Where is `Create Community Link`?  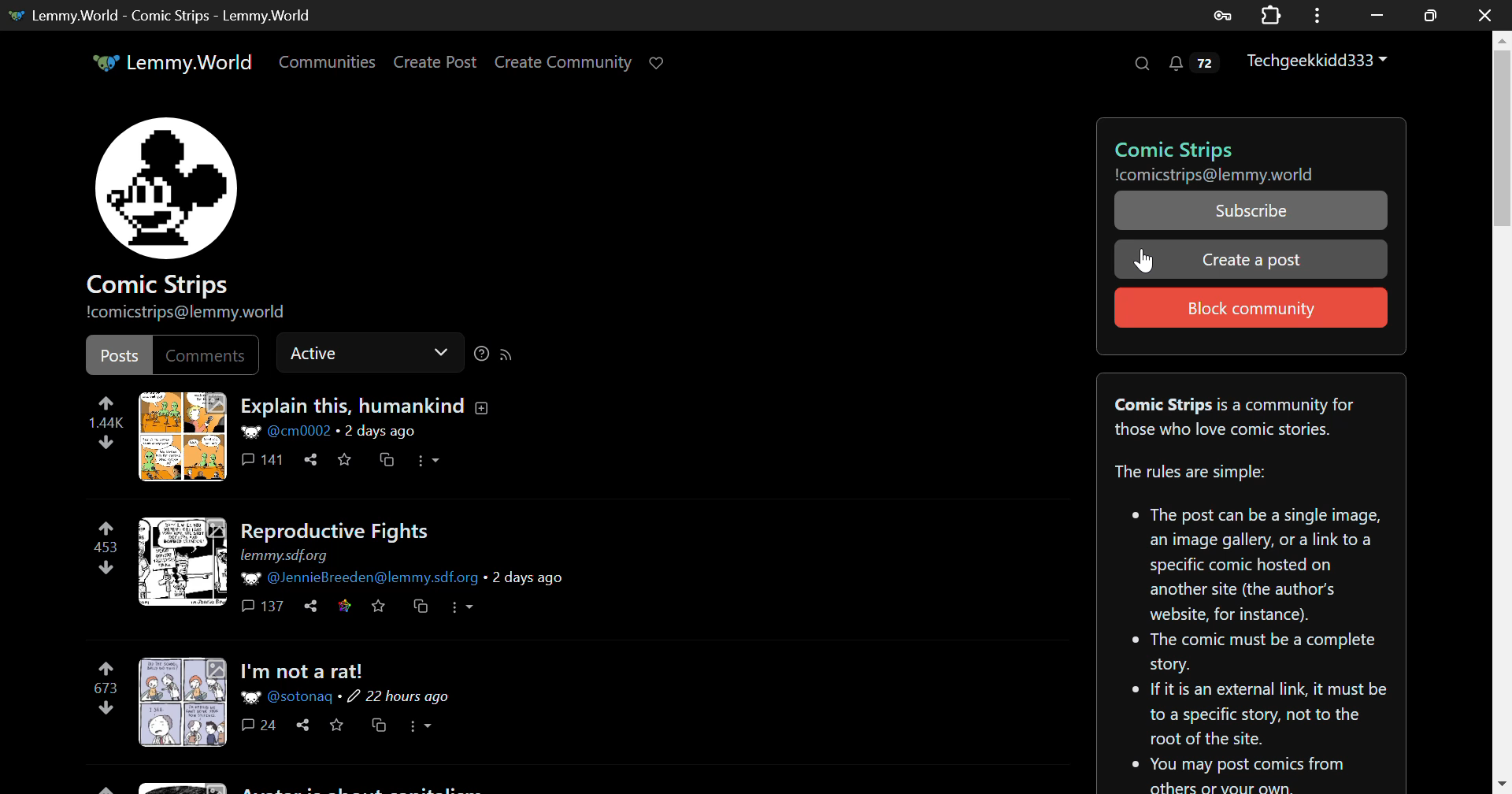
Create Community Link is located at coordinates (566, 65).